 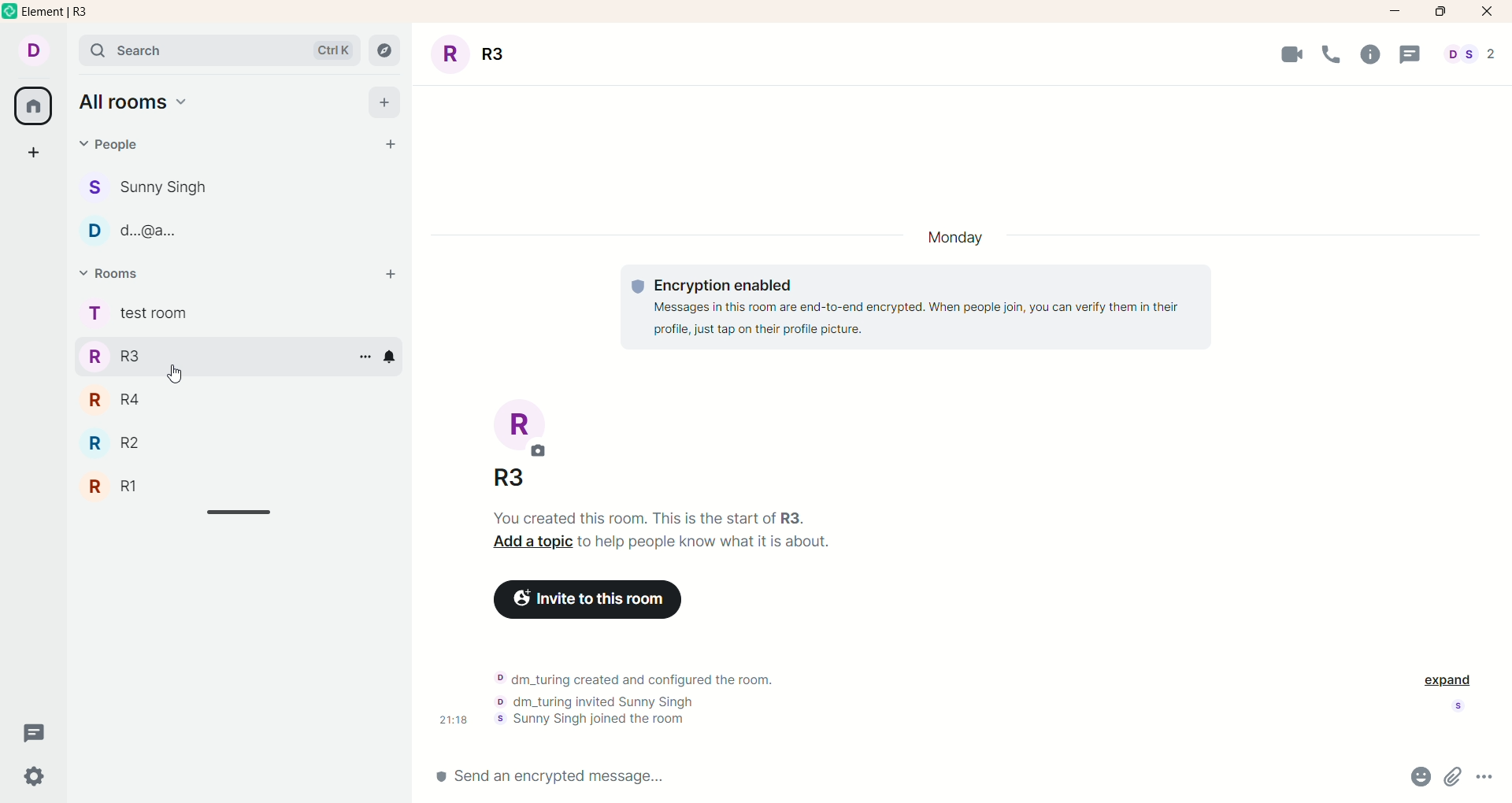 I want to click on options, so click(x=365, y=356).